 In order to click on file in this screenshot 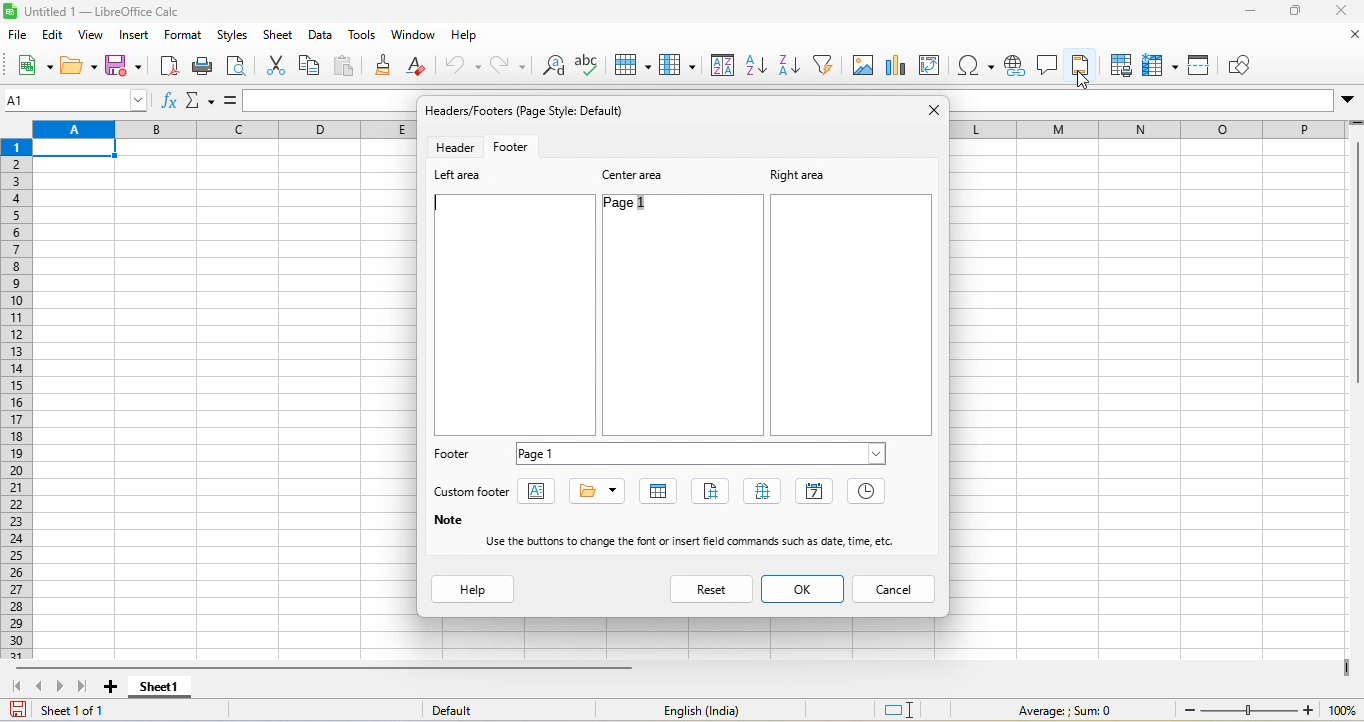, I will do `click(19, 37)`.